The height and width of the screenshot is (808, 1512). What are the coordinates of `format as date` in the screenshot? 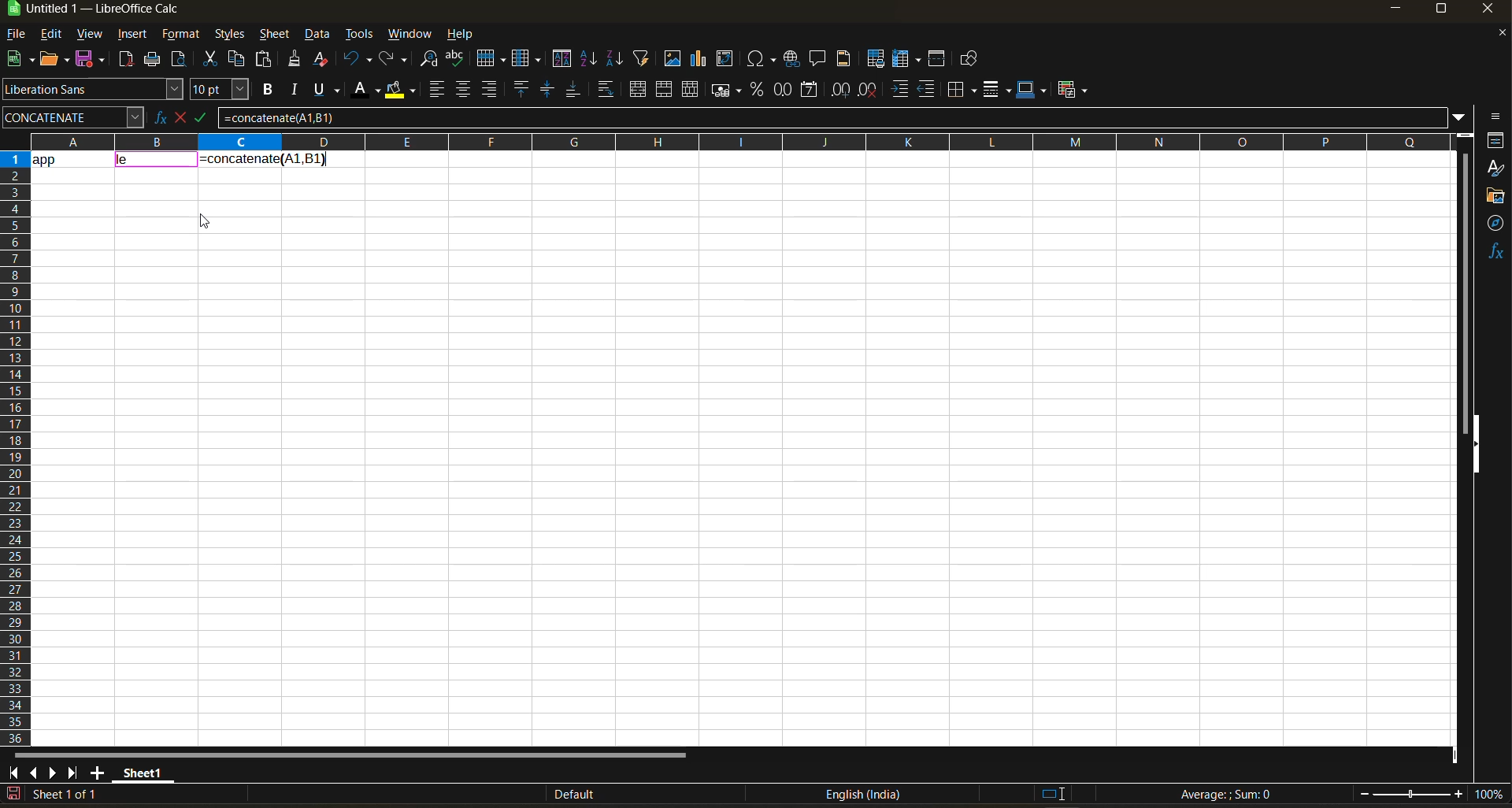 It's located at (813, 91).